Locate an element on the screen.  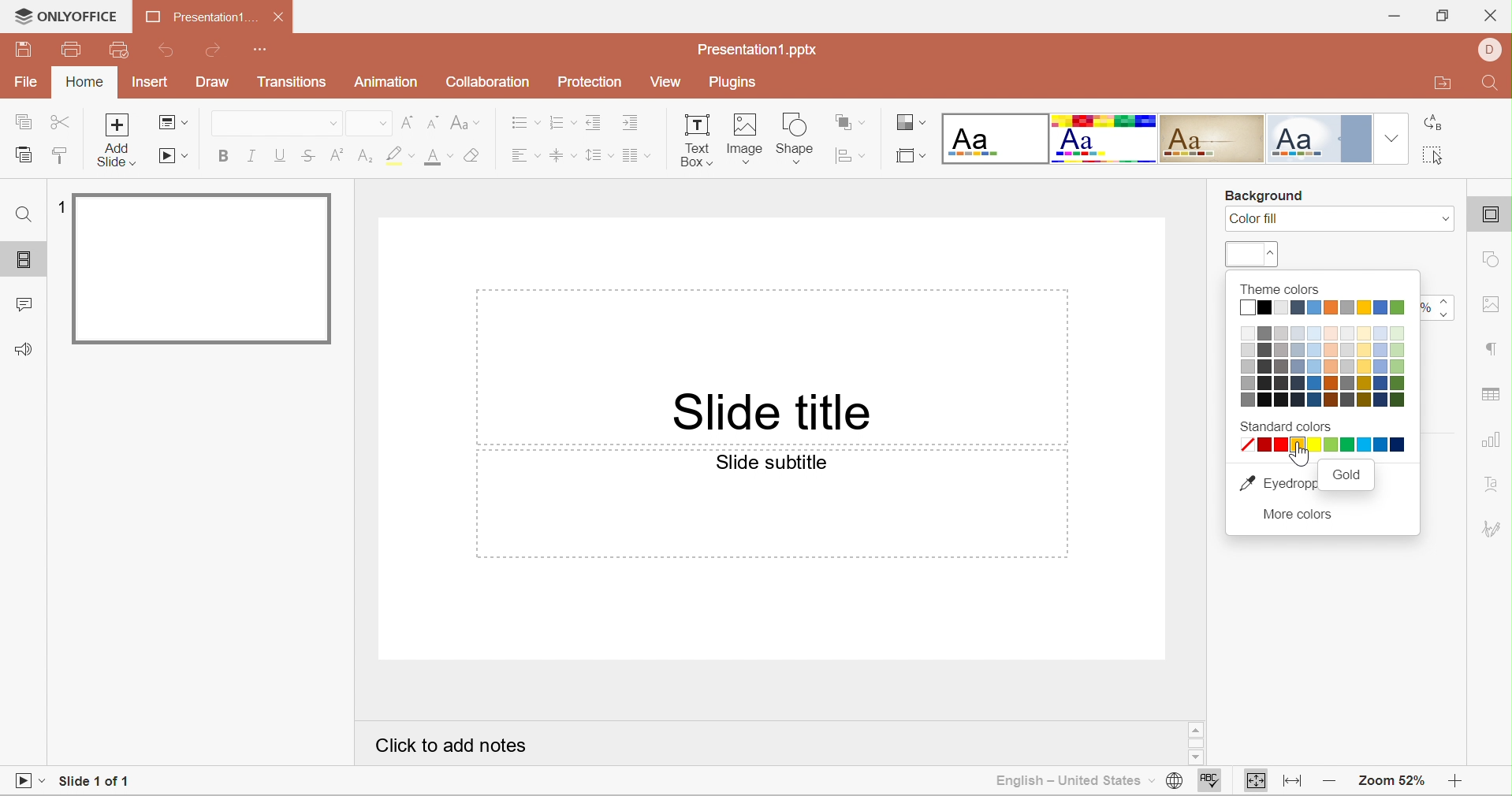
Numbering is located at coordinates (563, 124).